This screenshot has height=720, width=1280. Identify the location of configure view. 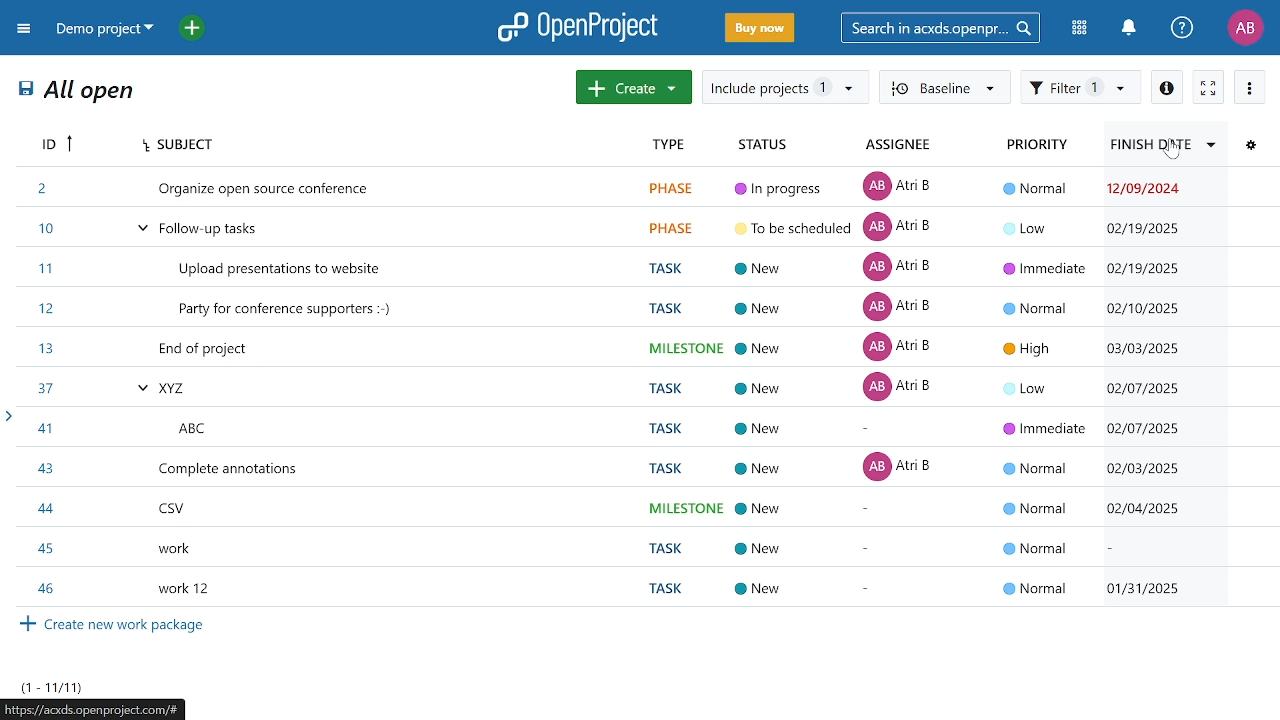
(1248, 148).